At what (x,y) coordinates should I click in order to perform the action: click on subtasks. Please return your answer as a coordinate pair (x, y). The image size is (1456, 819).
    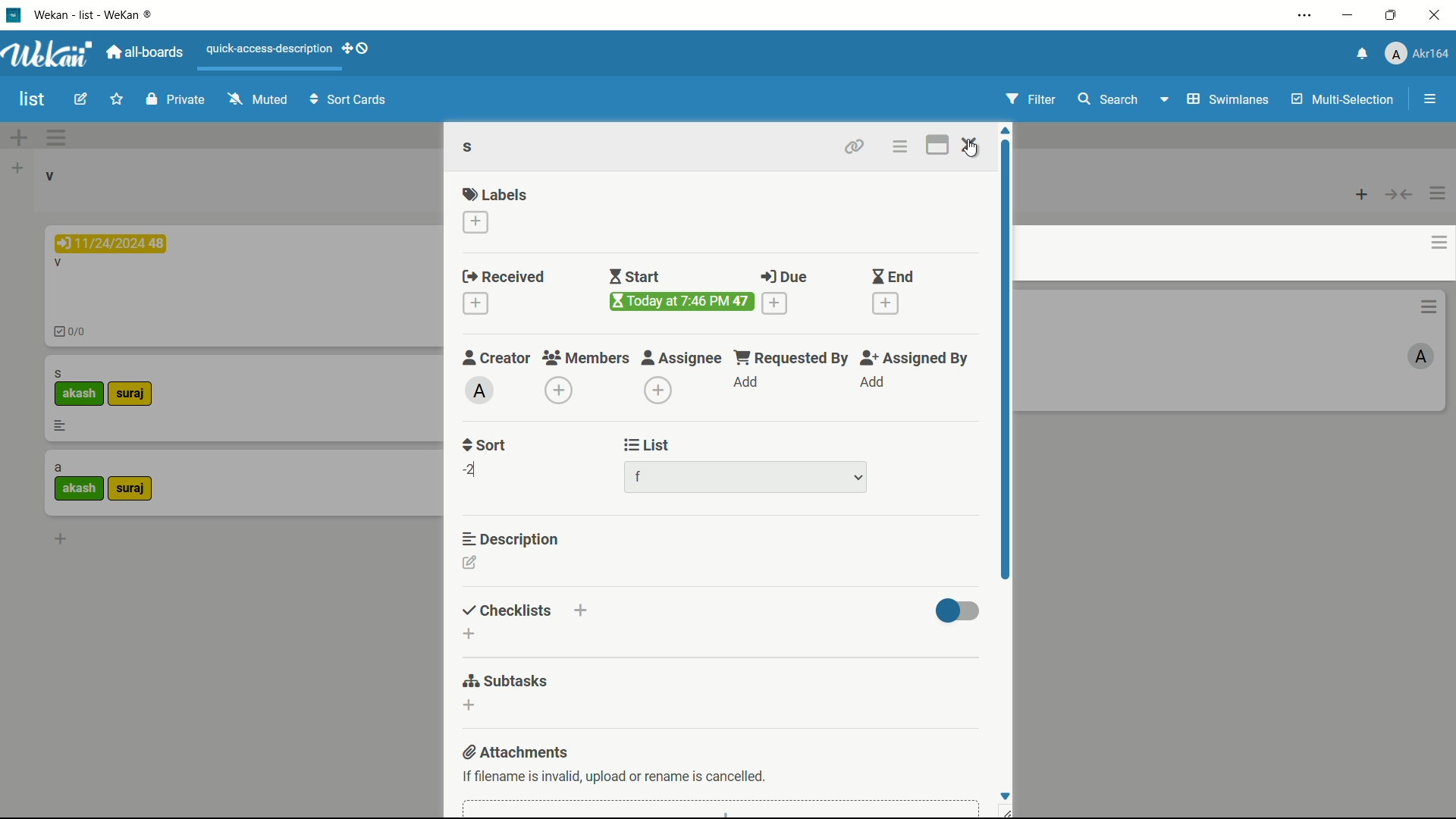
    Looking at the image, I should click on (507, 680).